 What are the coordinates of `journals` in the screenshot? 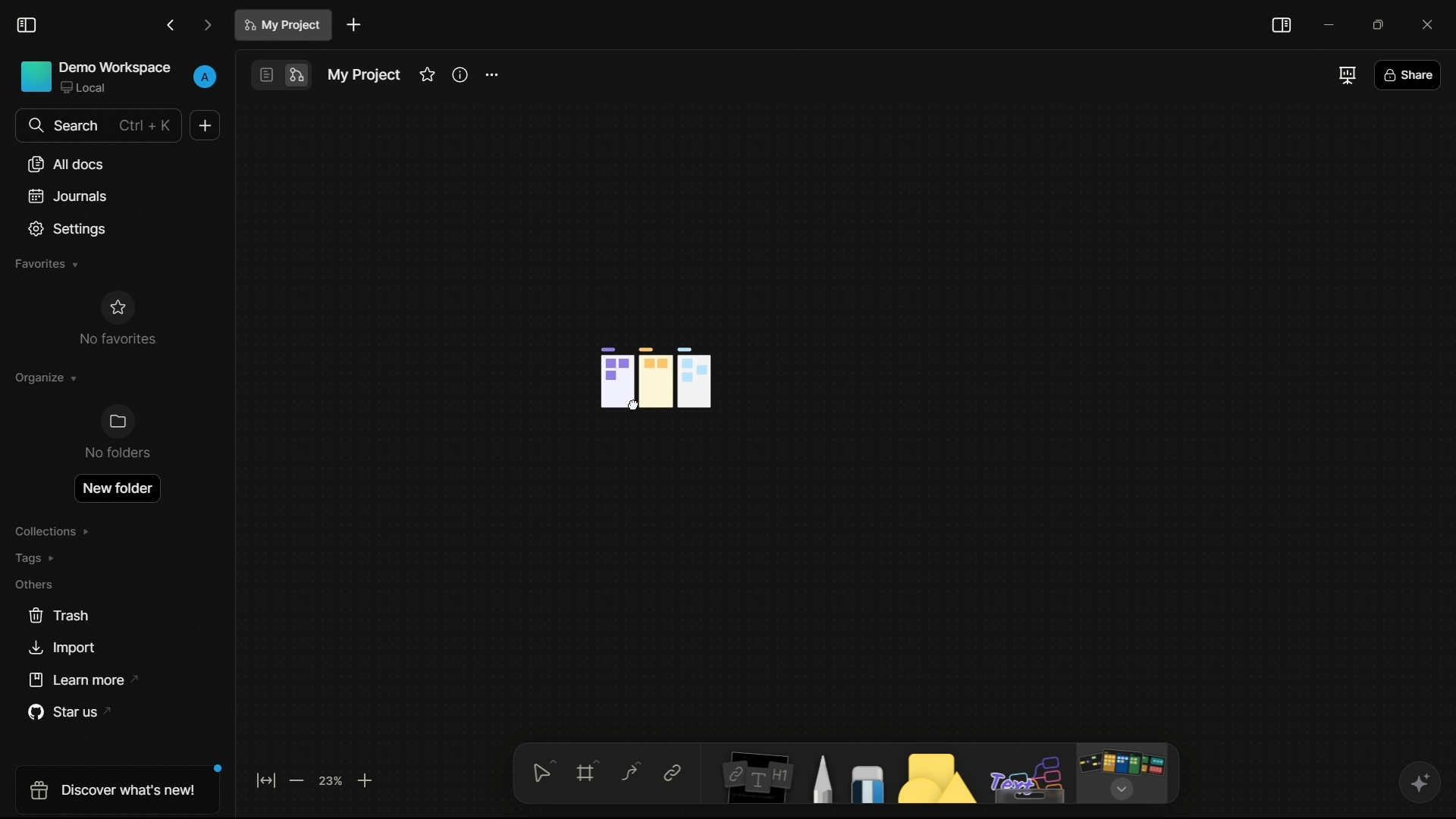 It's located at (68, 196).